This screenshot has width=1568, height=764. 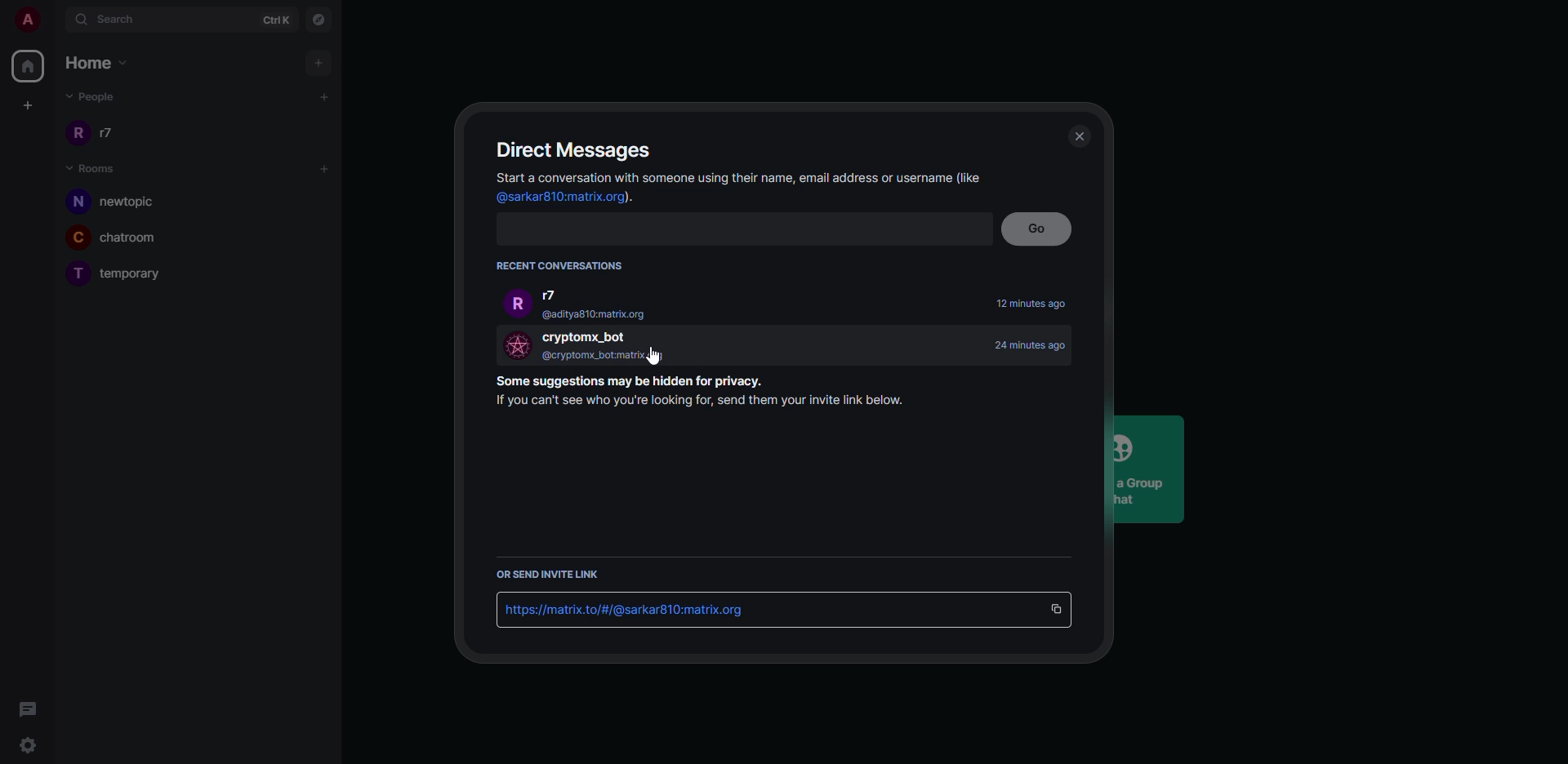 I want to click on create space, so click(x=28, y=104).